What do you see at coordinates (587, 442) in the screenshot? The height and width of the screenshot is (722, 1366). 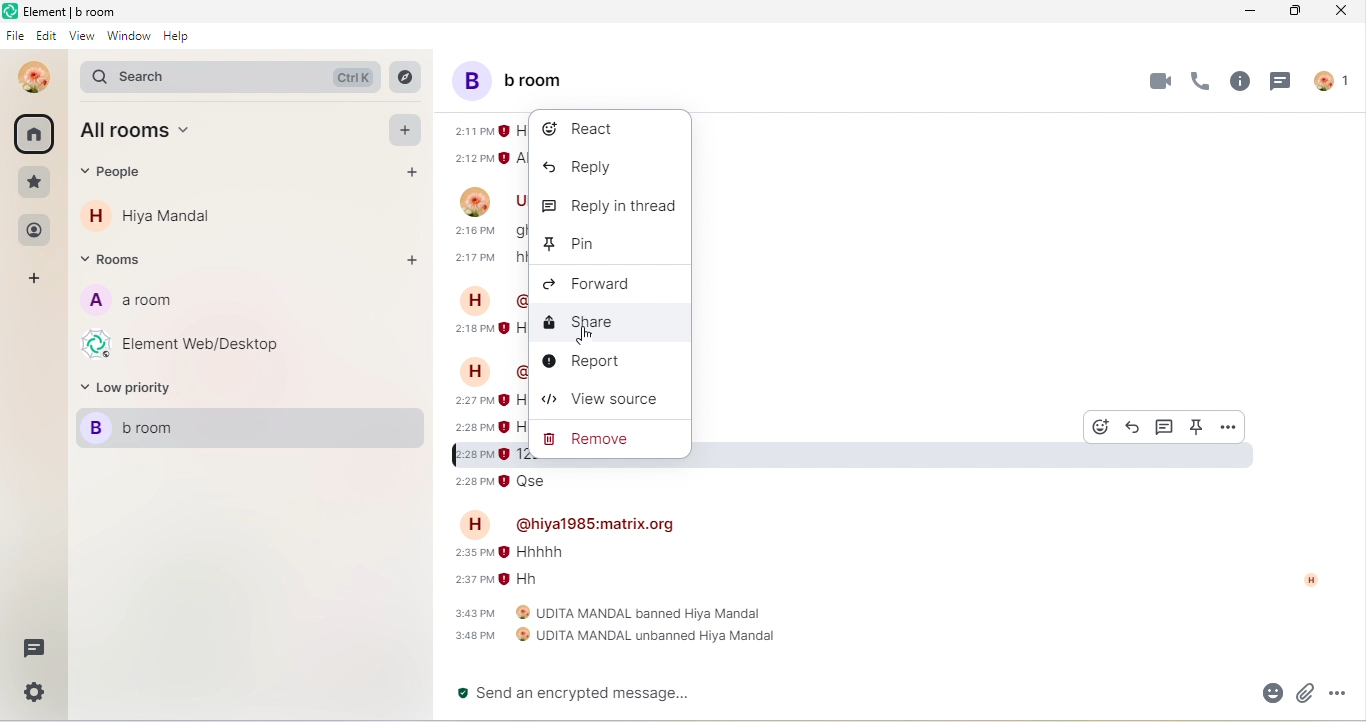 I see `remove` at bounding box center [587, 442].